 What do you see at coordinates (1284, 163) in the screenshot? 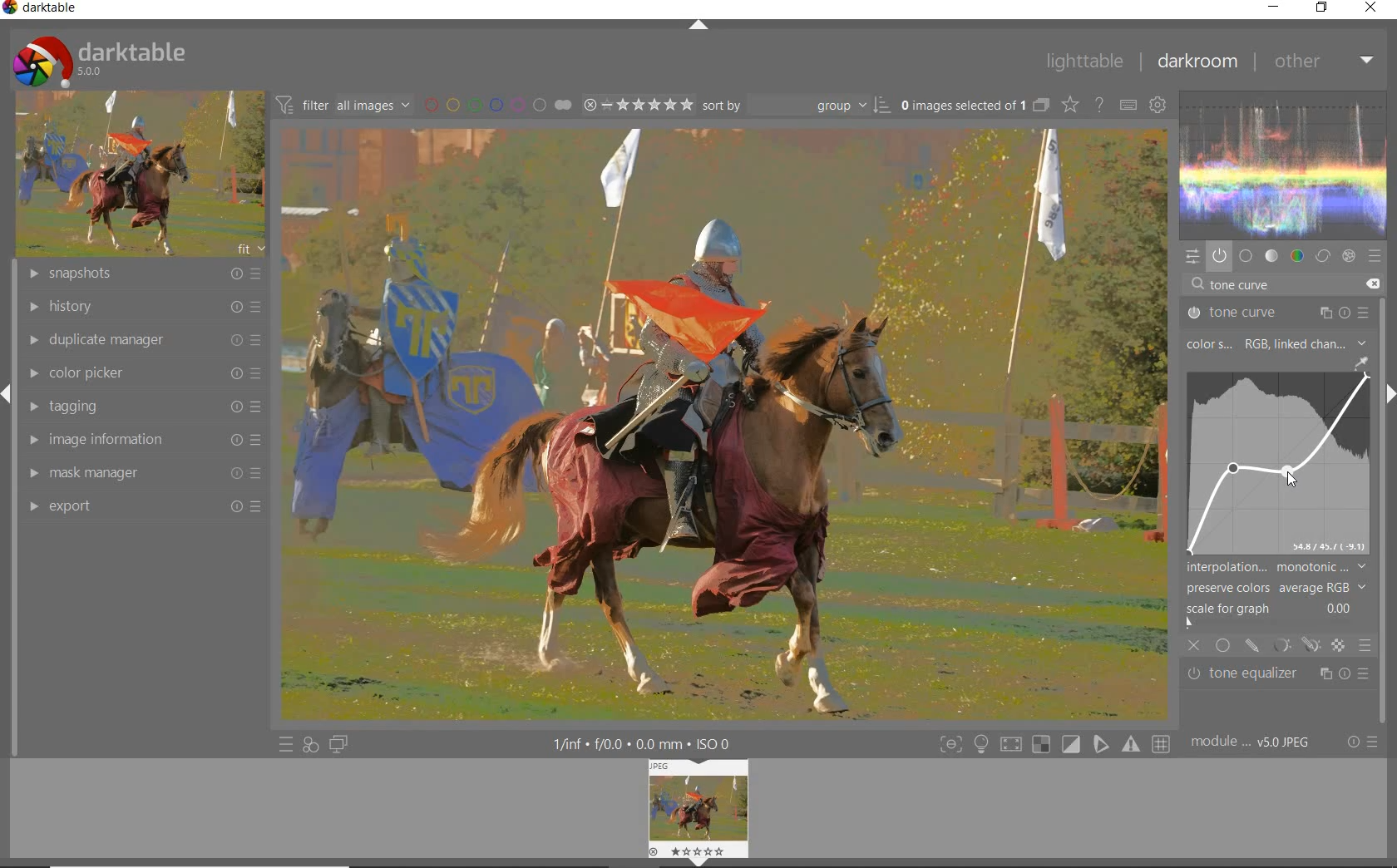
I see `waveform` at bounding box center [1284, 163].